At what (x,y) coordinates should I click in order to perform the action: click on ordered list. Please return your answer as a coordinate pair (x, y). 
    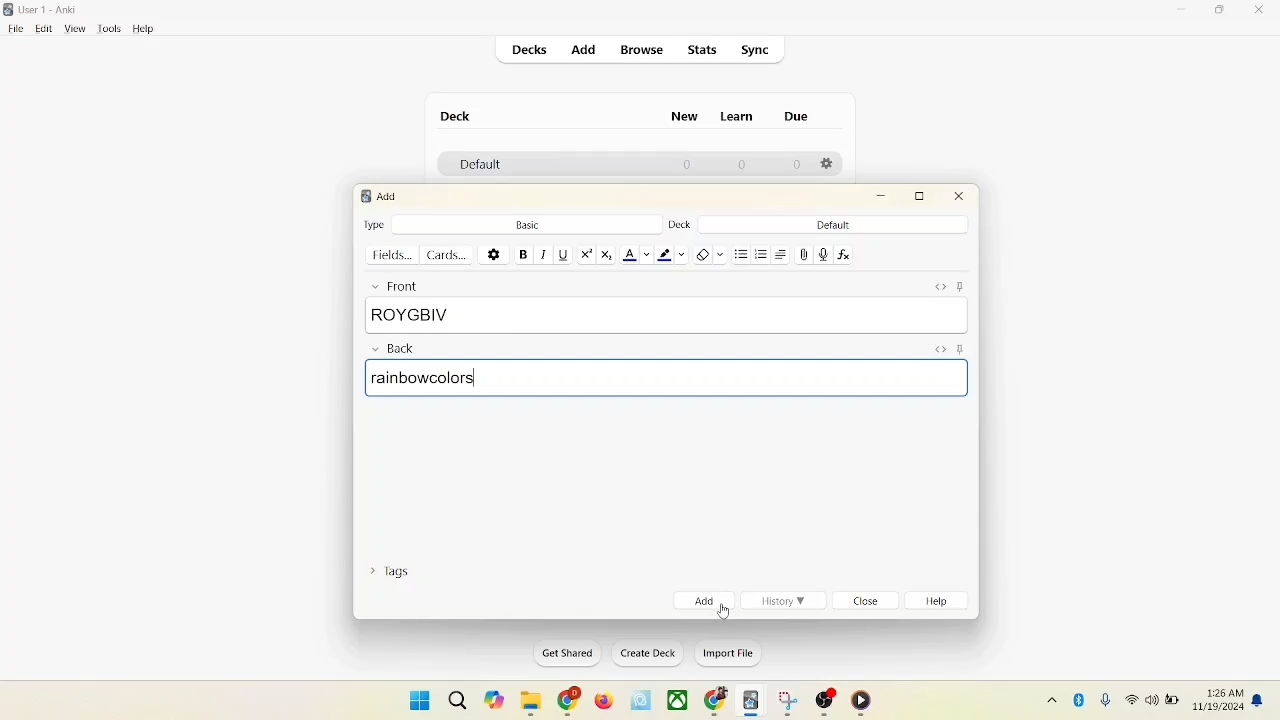
    Looking at the image, I should click on (762, 252).